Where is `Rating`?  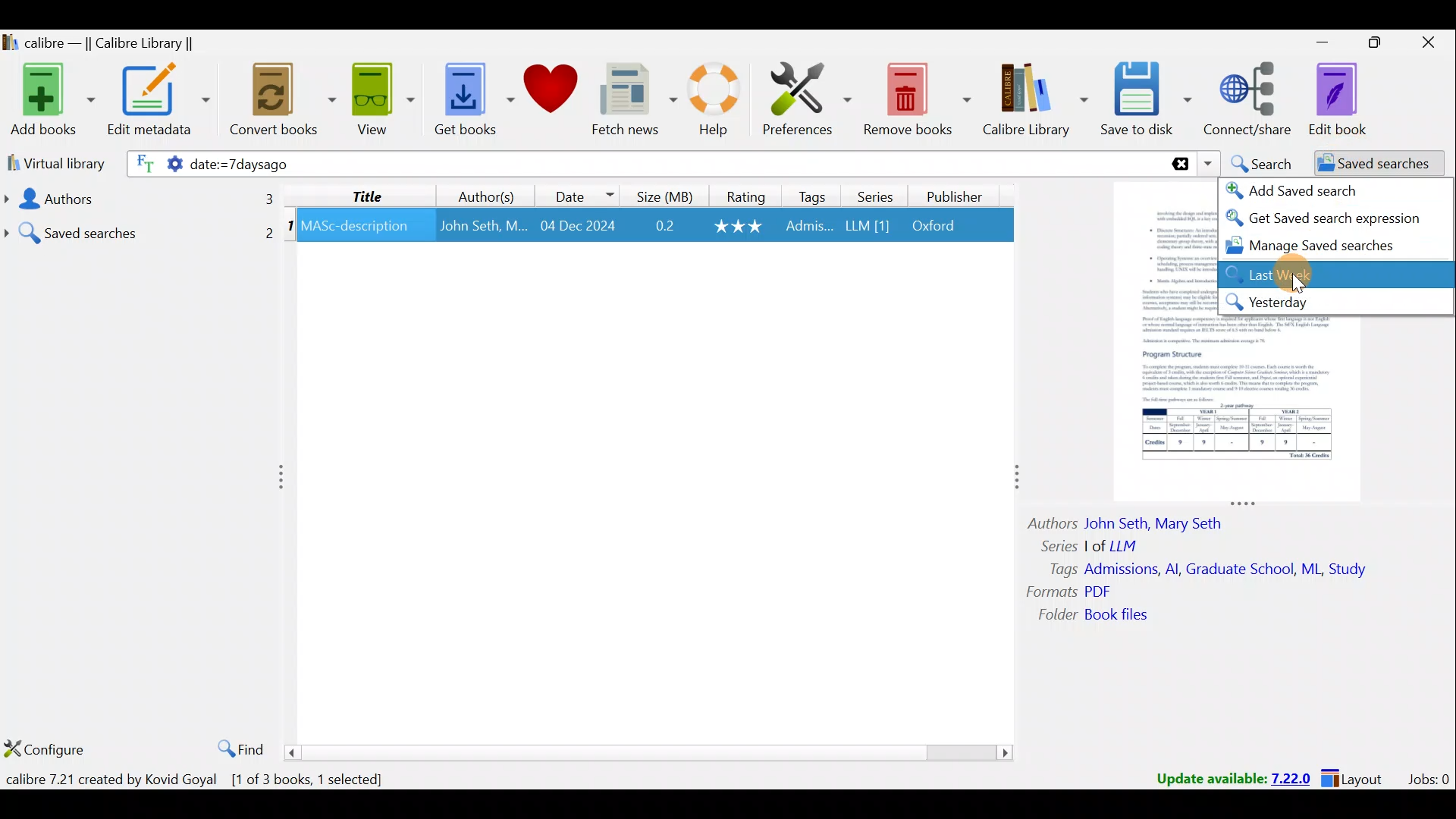
Rating is located at coordinates (742, 195).